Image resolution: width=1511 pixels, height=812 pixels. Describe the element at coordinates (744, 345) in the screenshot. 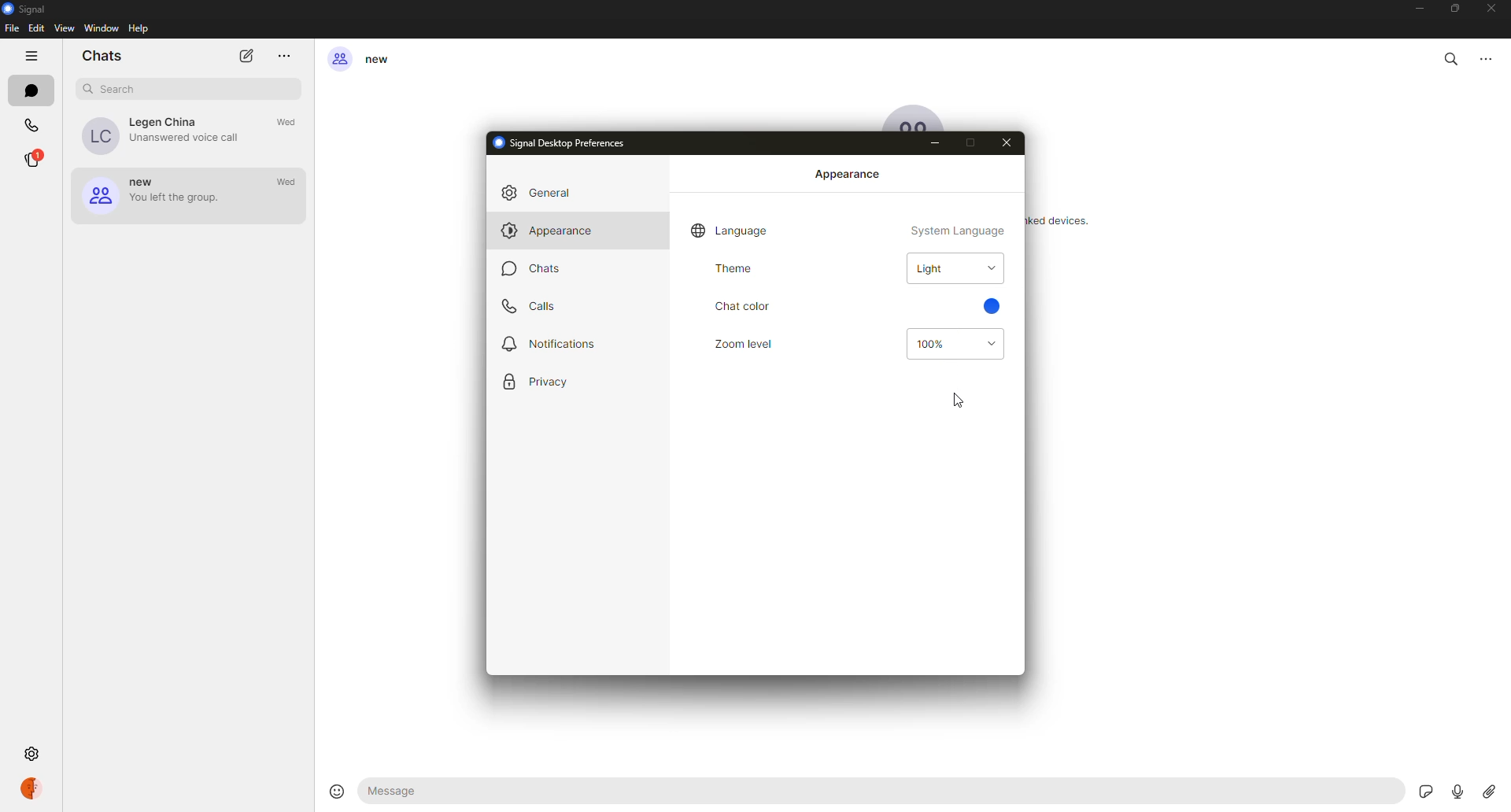

I see `zoom level` at that location.